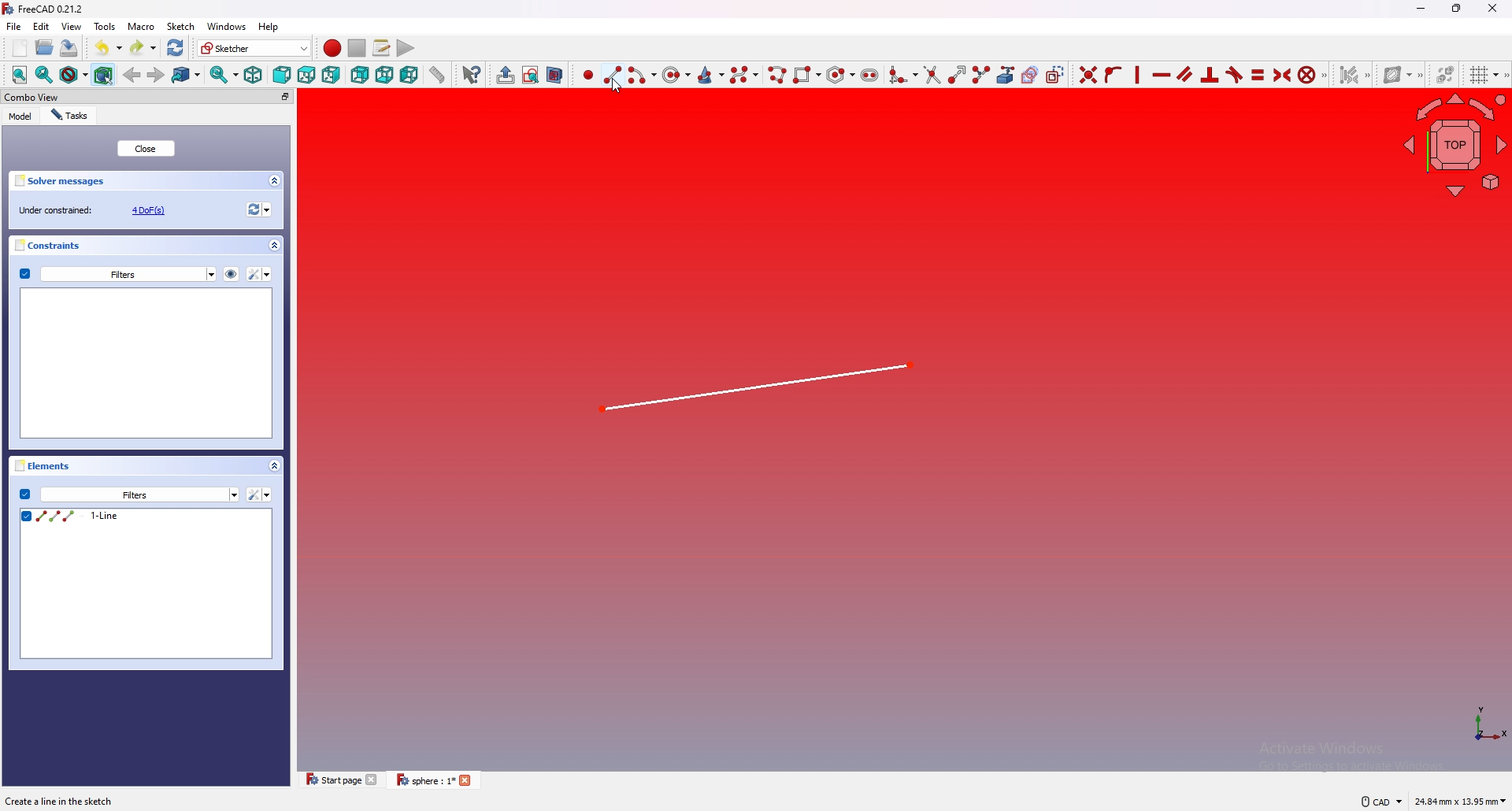  Describe the element at coordinates (97, 209) in the screenshot. I see `Under constrained` at that location.